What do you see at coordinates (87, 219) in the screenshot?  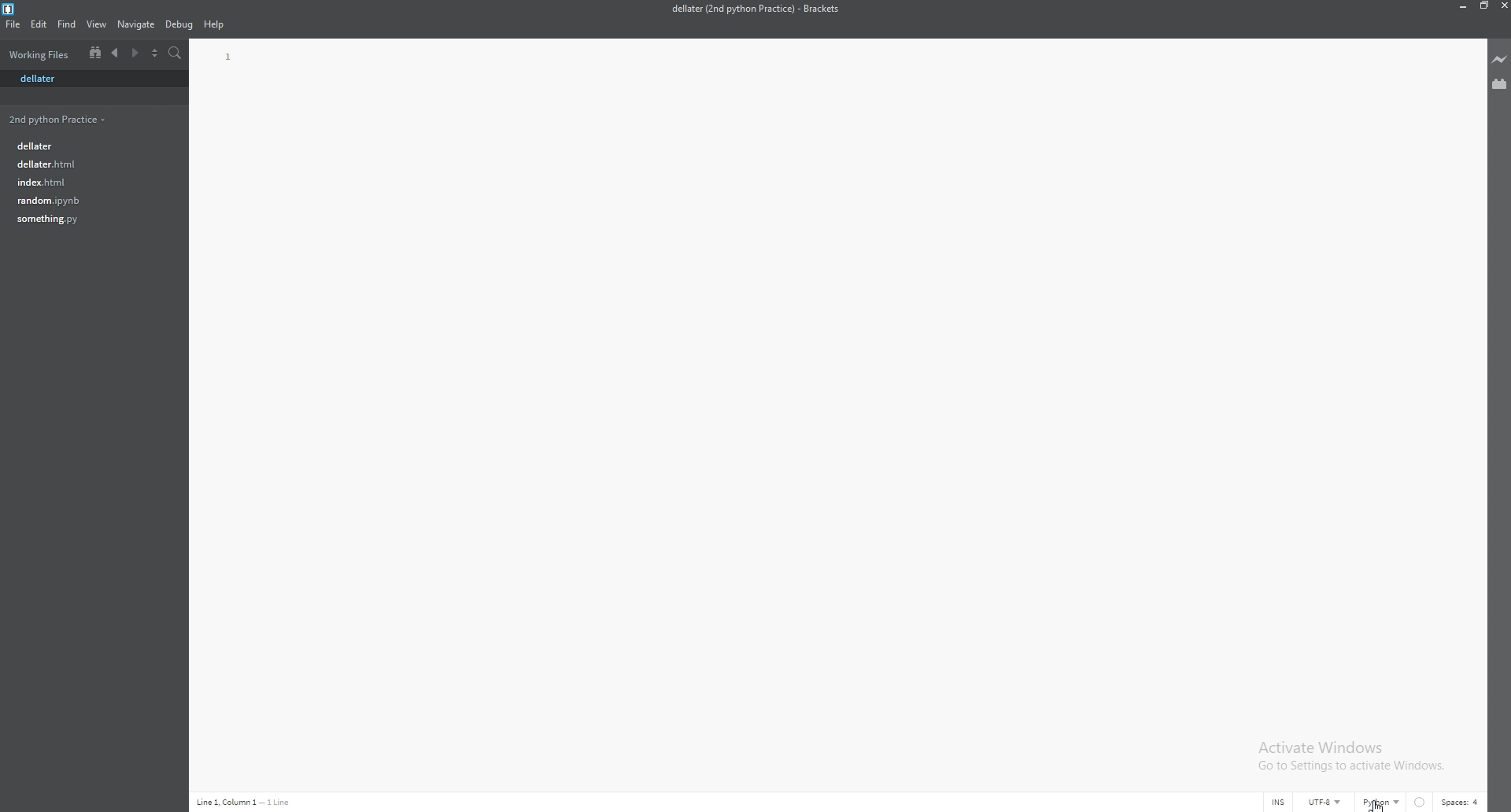 I see `file` at bounding box center [87, 219].